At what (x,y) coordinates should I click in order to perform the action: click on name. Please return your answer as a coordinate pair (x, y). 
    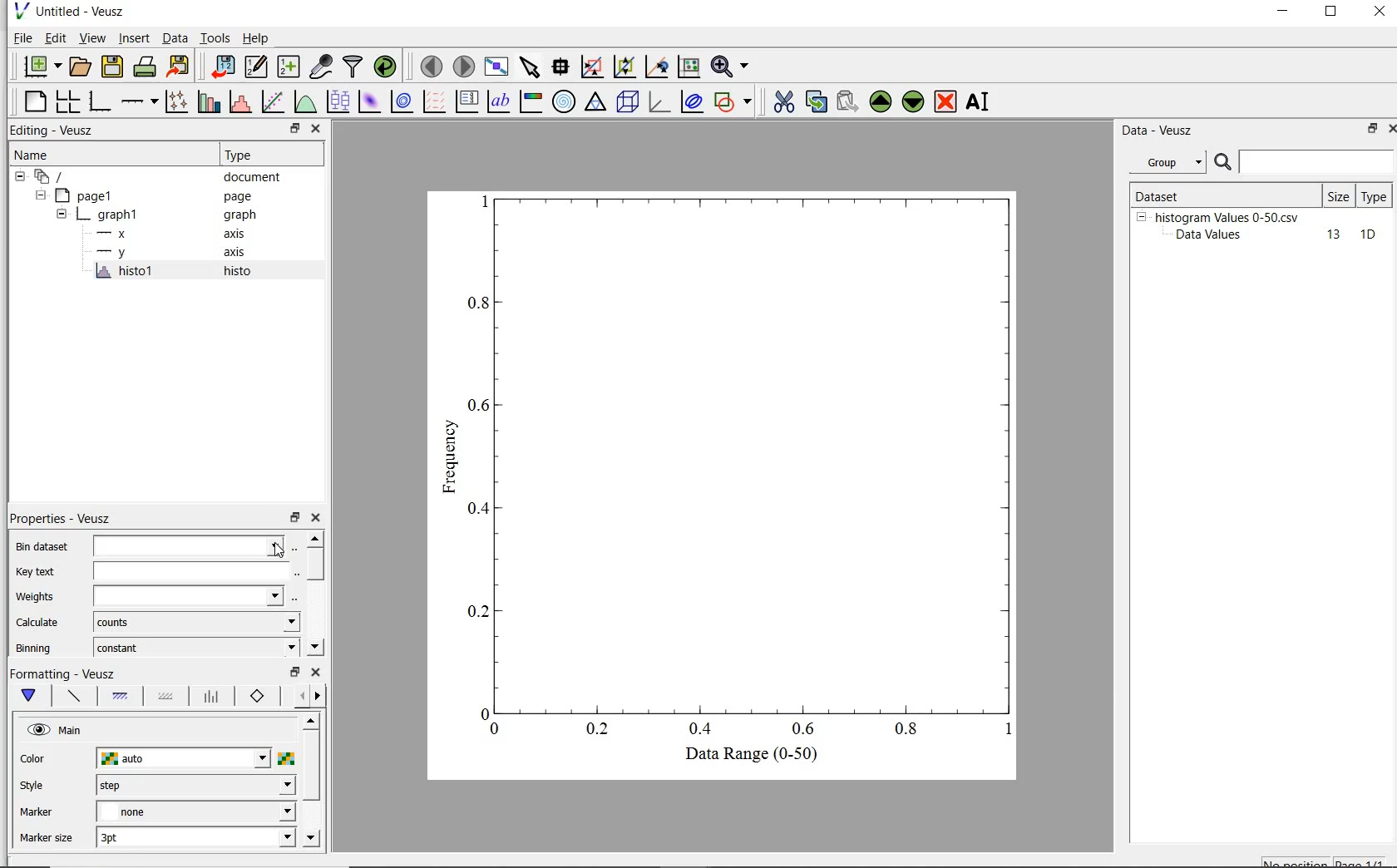
    Looking at the image, I should click on (30, 155).